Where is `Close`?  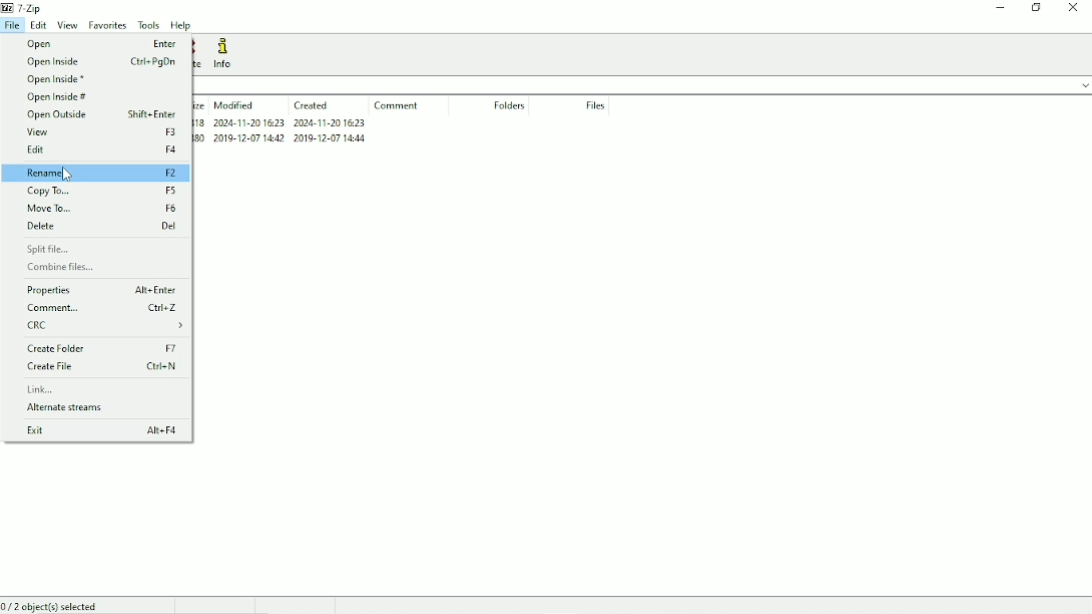
Close is located at coordinates (1074, 8).